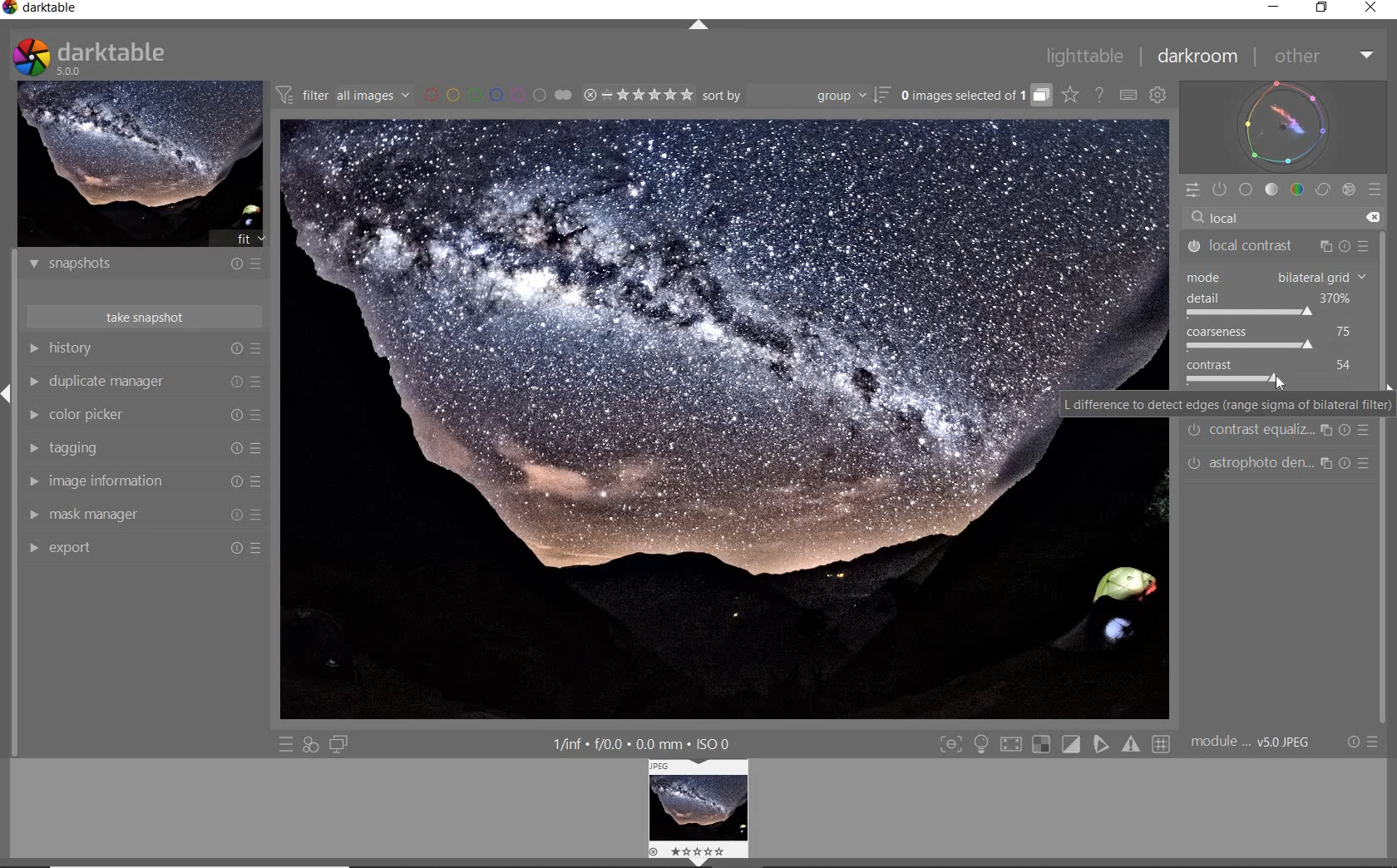  What do you see at coordinates (259, 547) in the screenshot?
I see `Reset` at bounding box center [259, 547].